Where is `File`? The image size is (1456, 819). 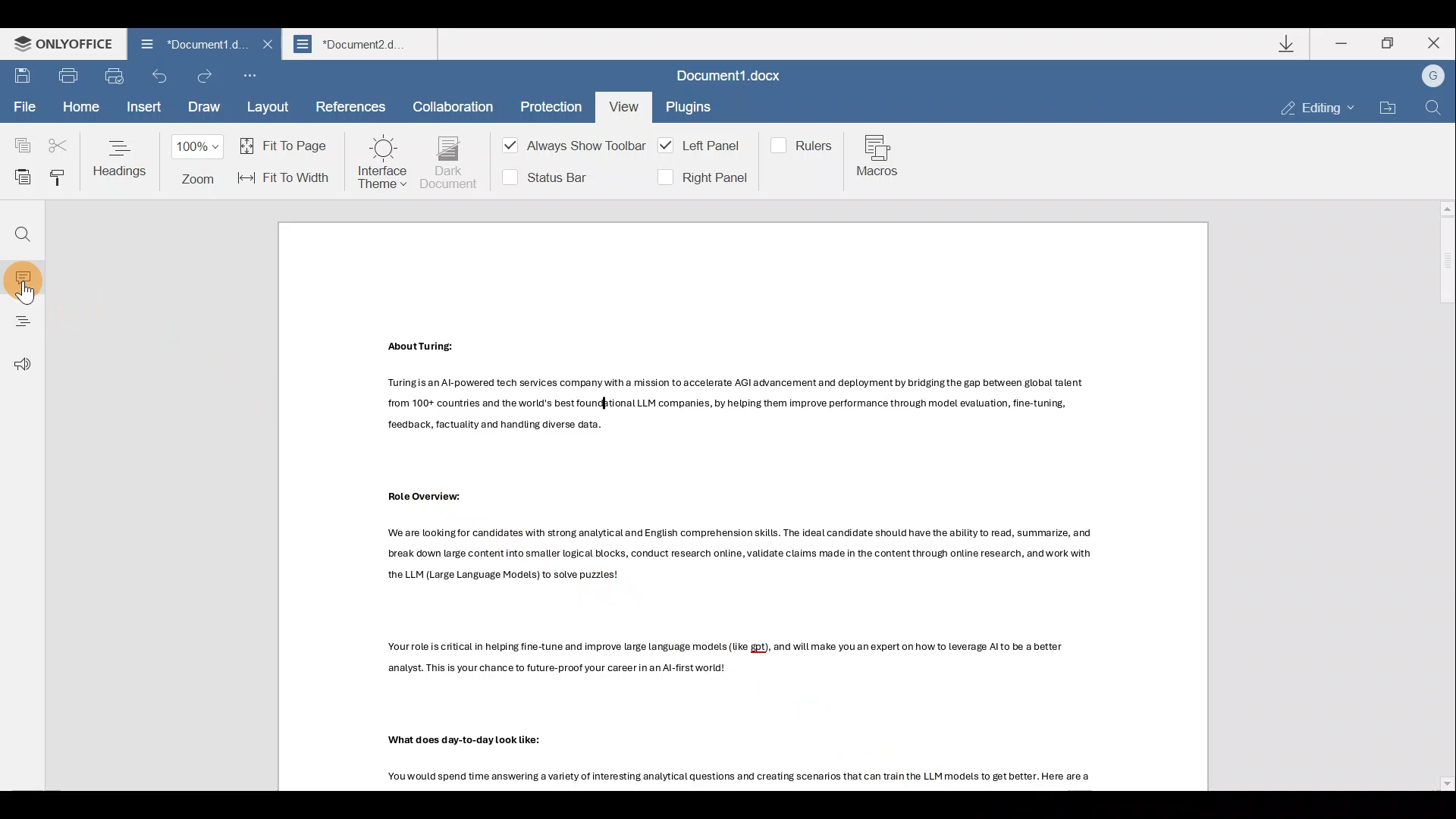
File is located at coordinates (24, 108).